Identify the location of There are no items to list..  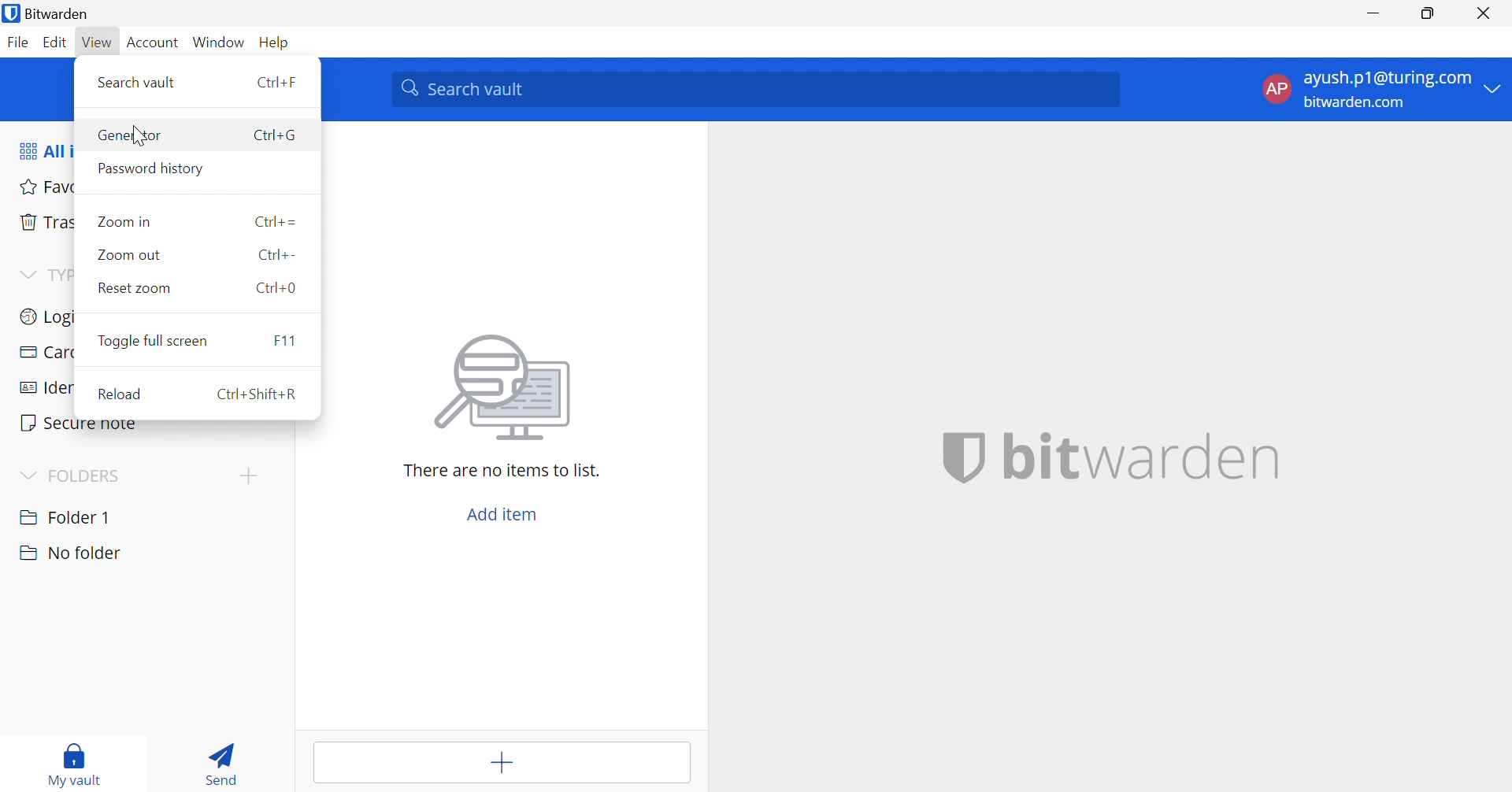
(504, 472).